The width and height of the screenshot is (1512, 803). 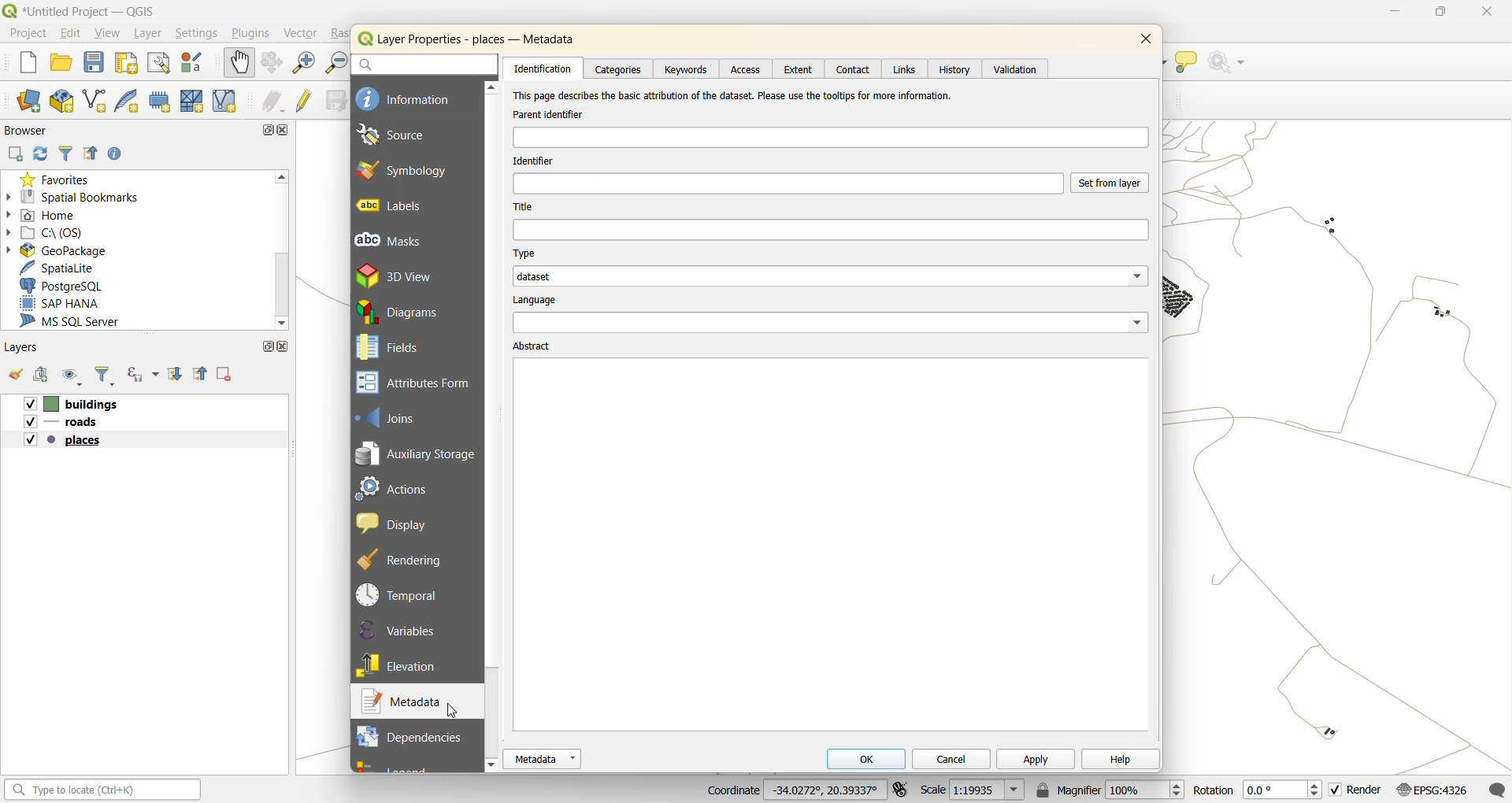 I want to click on favorites, so click(x=61, y=179).